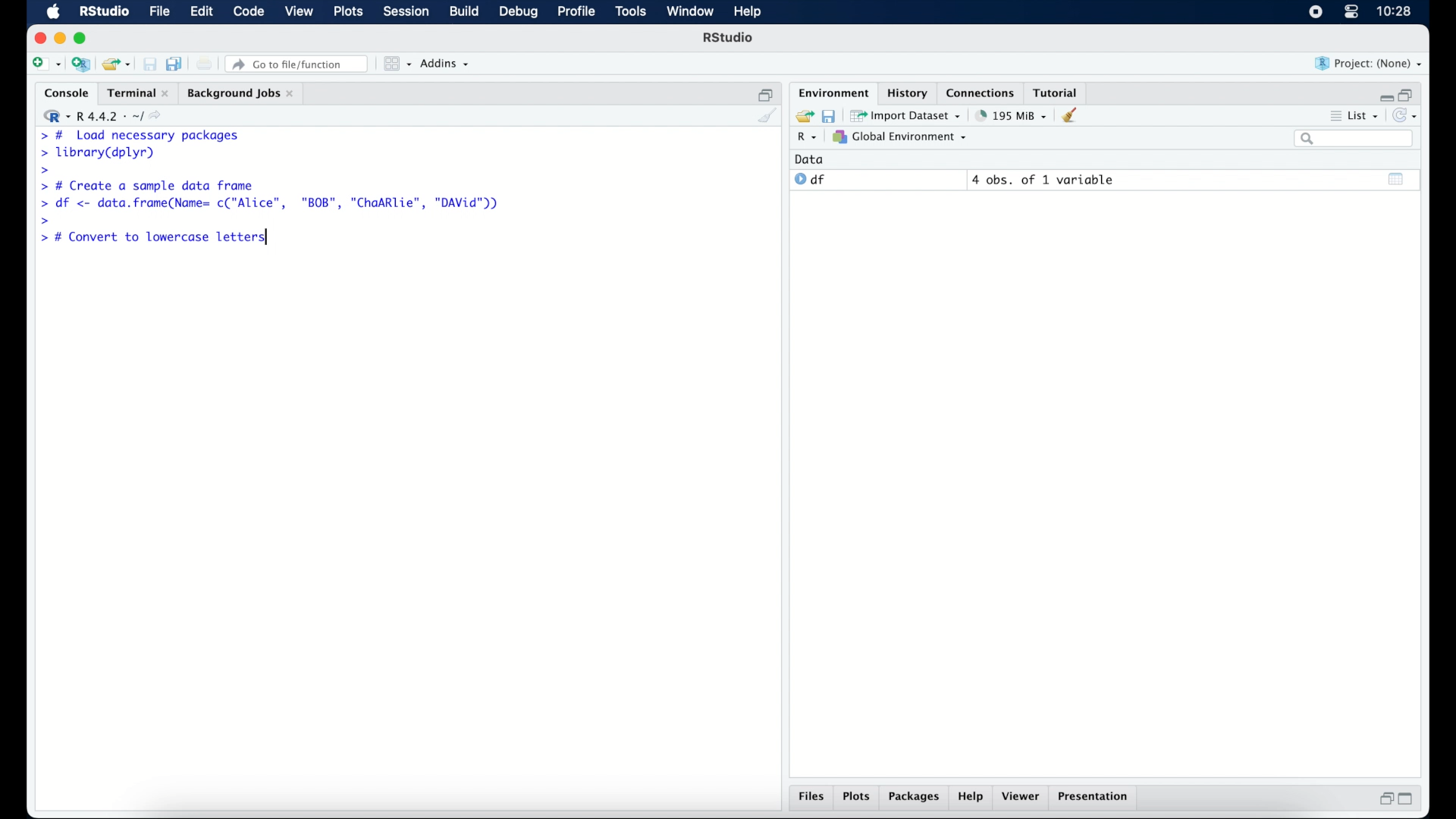 This screenshot has width=1456, height=819. What do you see at coordinates (576, 12) in the screenshot?
I see `profile` at bounding box center [576, 12].